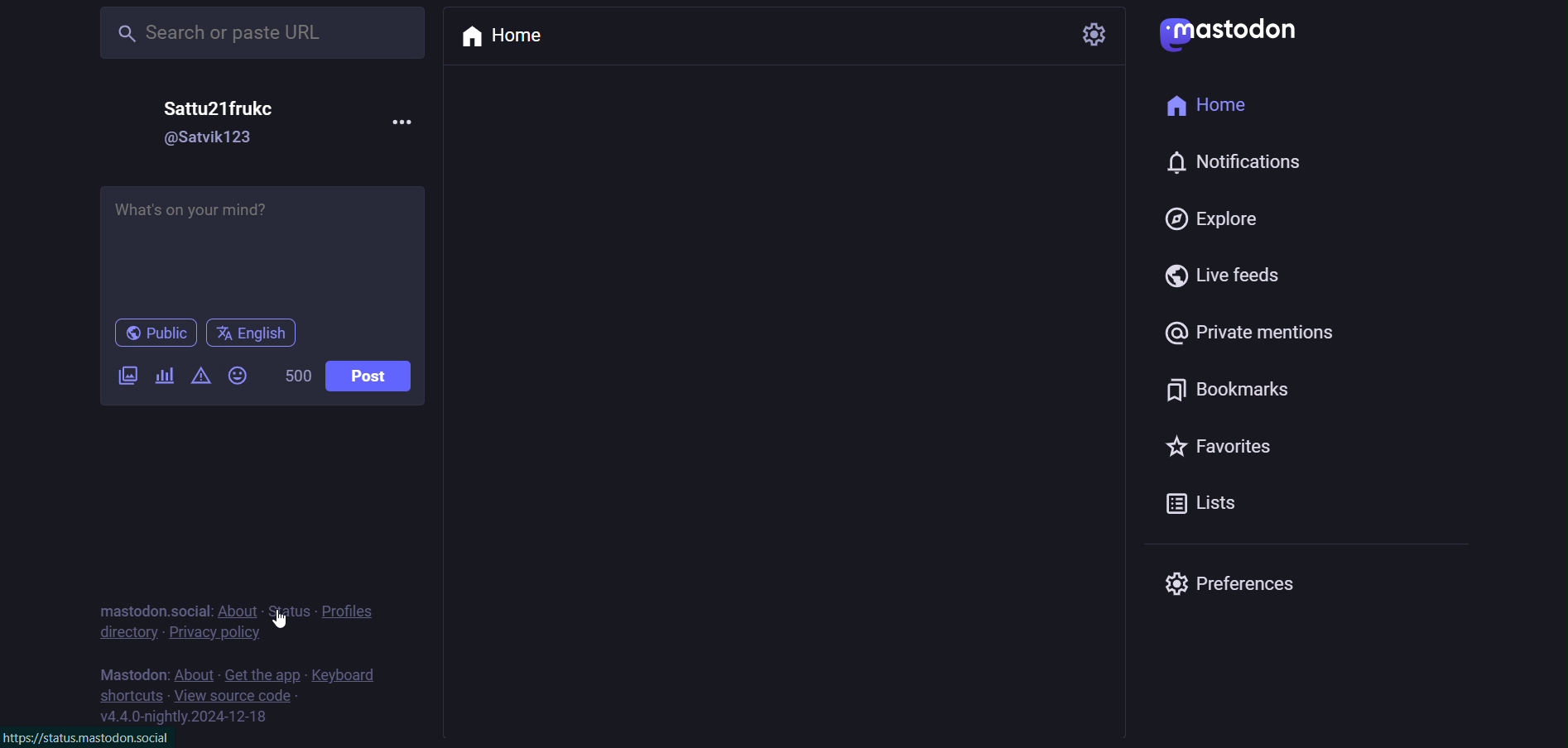 The image size is (1568, 748). What do you see at coordinates (416, 120) in the screenshot?
I see `more` at bounding box center [416, 120].